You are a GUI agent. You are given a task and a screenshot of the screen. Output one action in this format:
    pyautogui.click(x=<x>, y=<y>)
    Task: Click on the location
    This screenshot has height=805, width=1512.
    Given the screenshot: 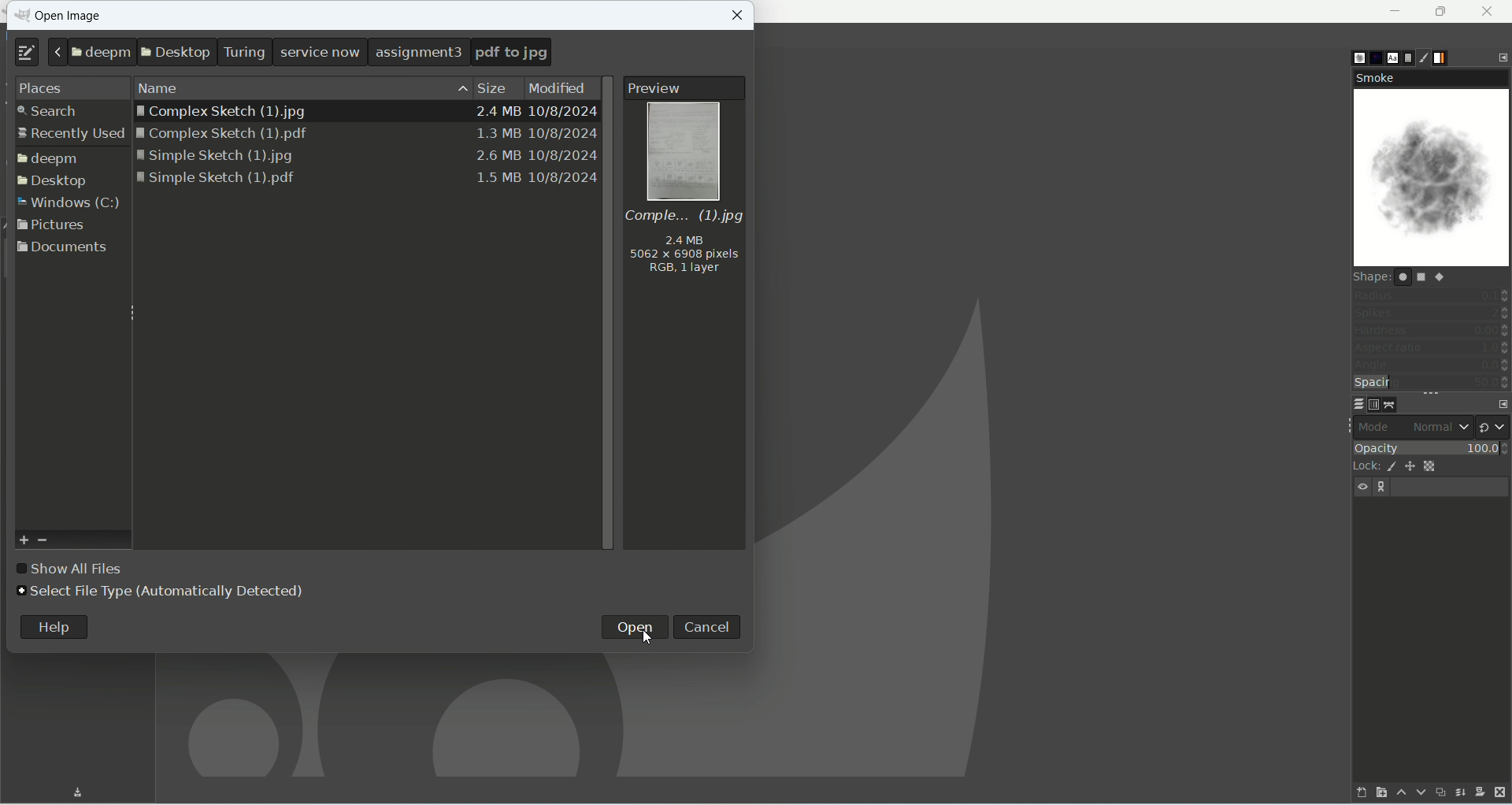 What is the action you would take?
    pyautogui.click(x=259, y=53)
    